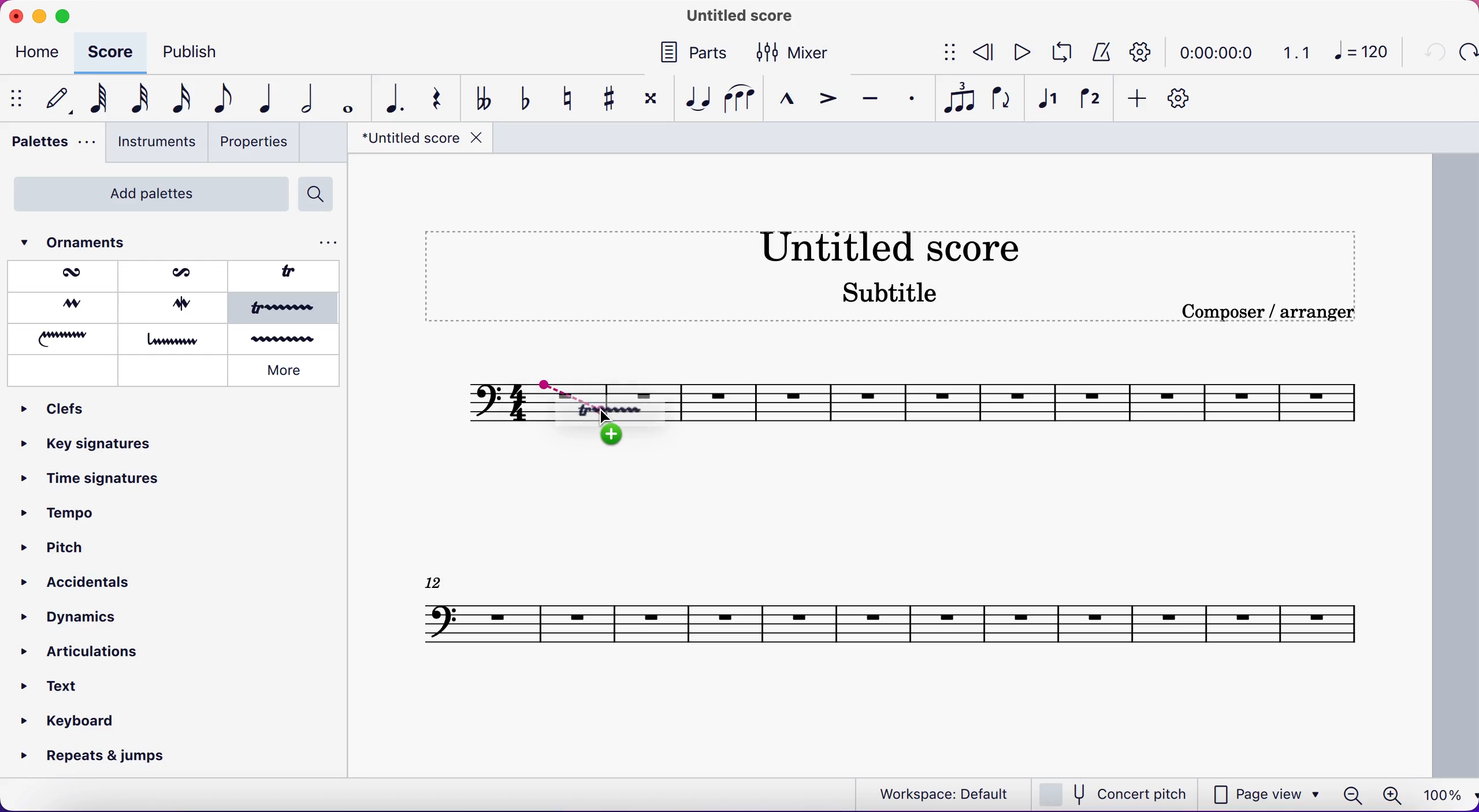 This screenshot has width=1479, height=812. I want to click on quarter note, so click(263, 100).